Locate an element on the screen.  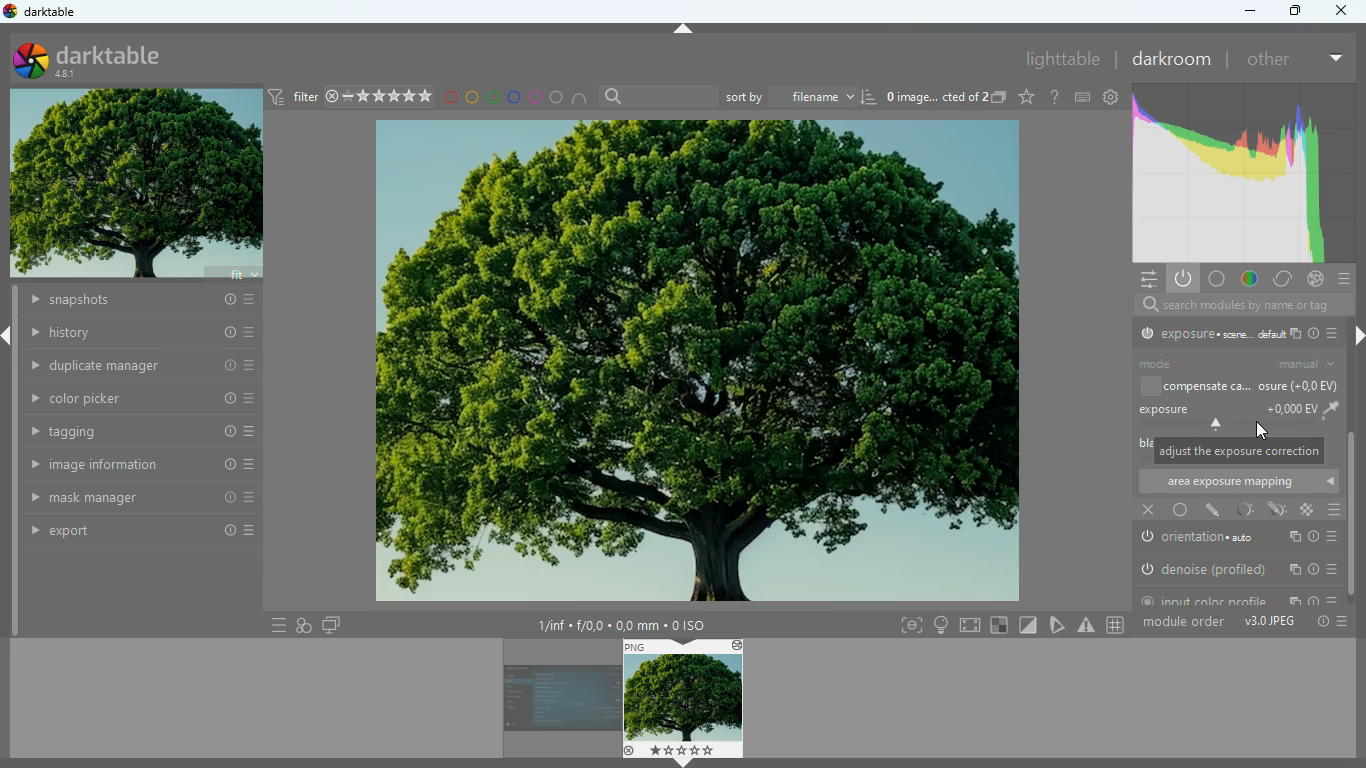
favourite is located at coordinates (1028, 99).